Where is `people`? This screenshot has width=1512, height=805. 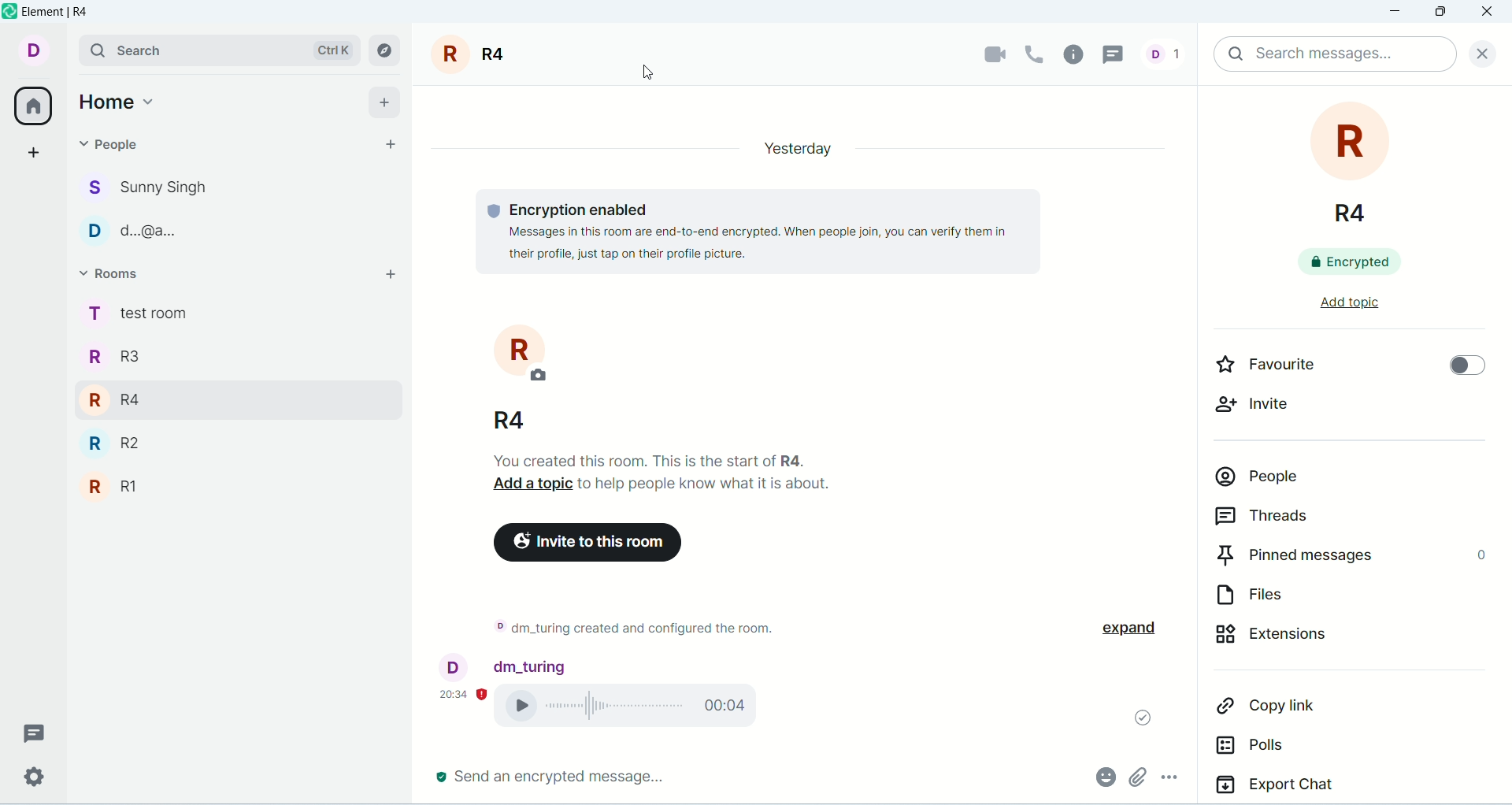
people is located at coordinates (150, 210).